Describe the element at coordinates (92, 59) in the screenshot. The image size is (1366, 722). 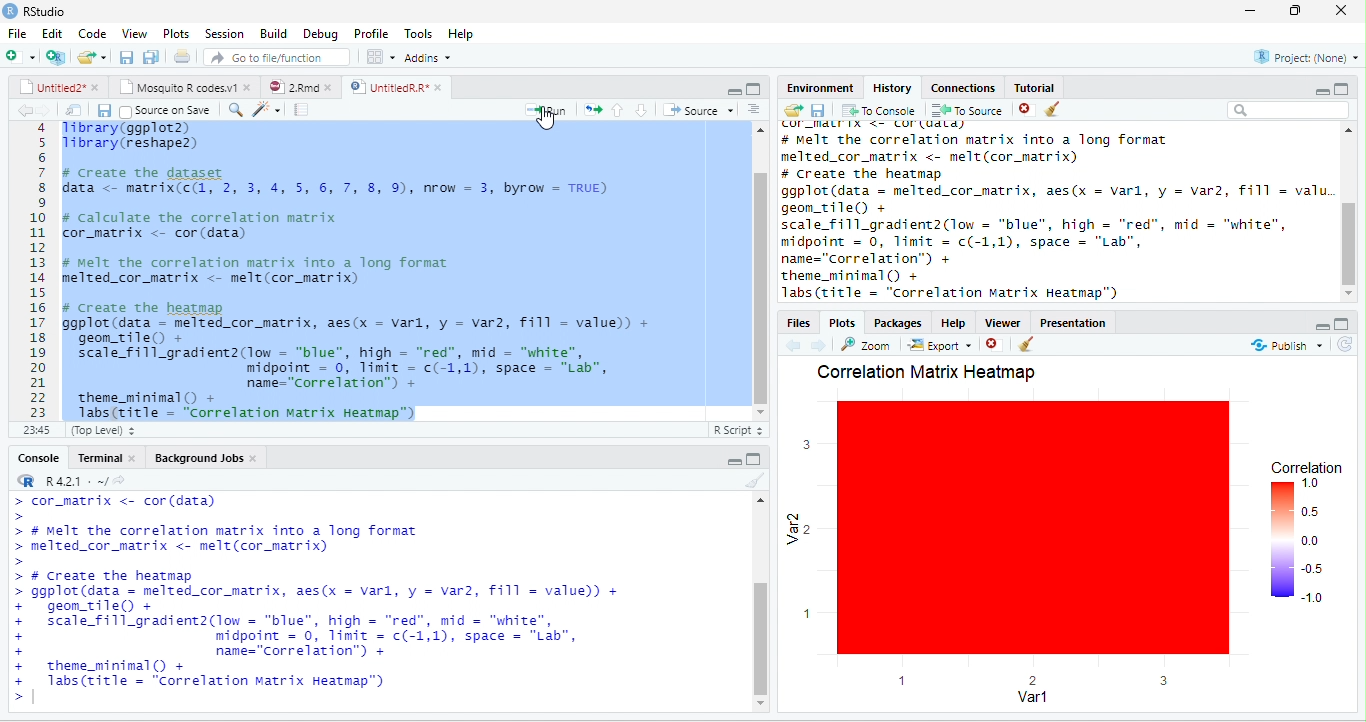
I see `end file` at that location.